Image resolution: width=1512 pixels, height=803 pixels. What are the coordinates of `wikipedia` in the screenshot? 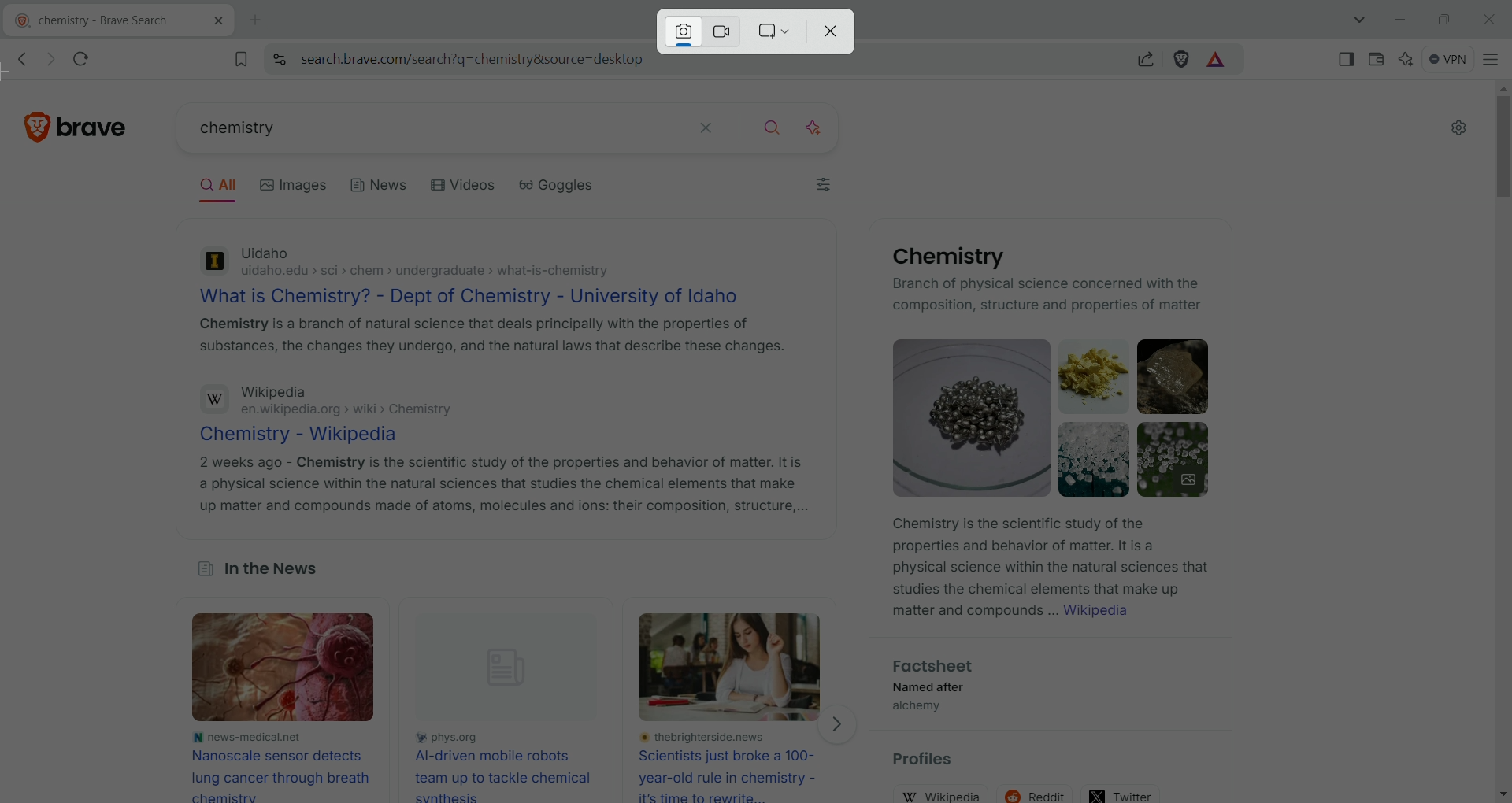 It's located at (947, 794).